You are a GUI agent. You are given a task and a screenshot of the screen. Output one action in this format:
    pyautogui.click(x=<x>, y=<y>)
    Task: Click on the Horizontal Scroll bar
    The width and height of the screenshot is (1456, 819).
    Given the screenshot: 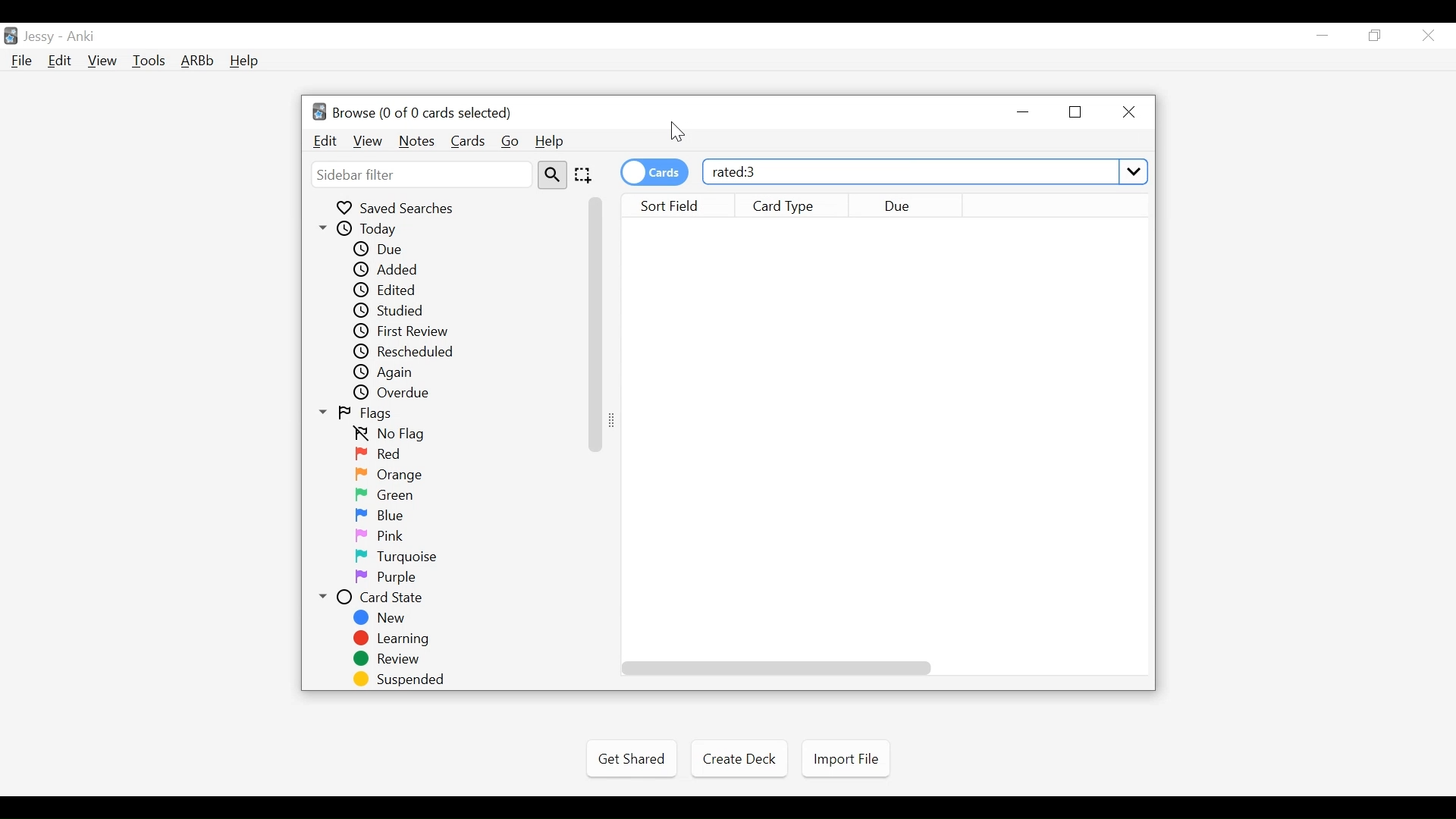 What is the action you would take?
    pyautogui.click(x=779, y=668)
    